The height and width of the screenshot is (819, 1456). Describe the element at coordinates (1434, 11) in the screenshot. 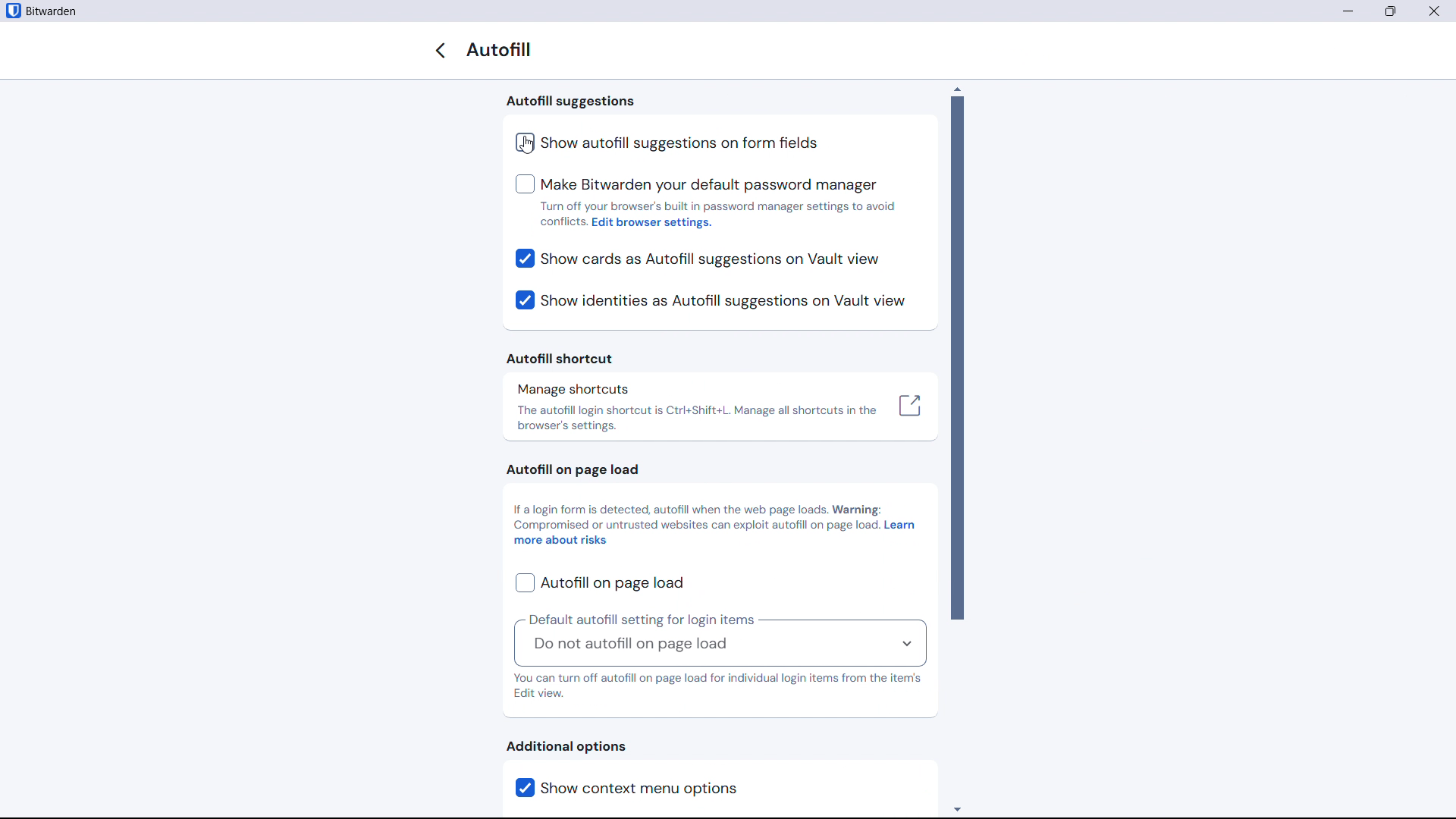

I see `close ` at that location.